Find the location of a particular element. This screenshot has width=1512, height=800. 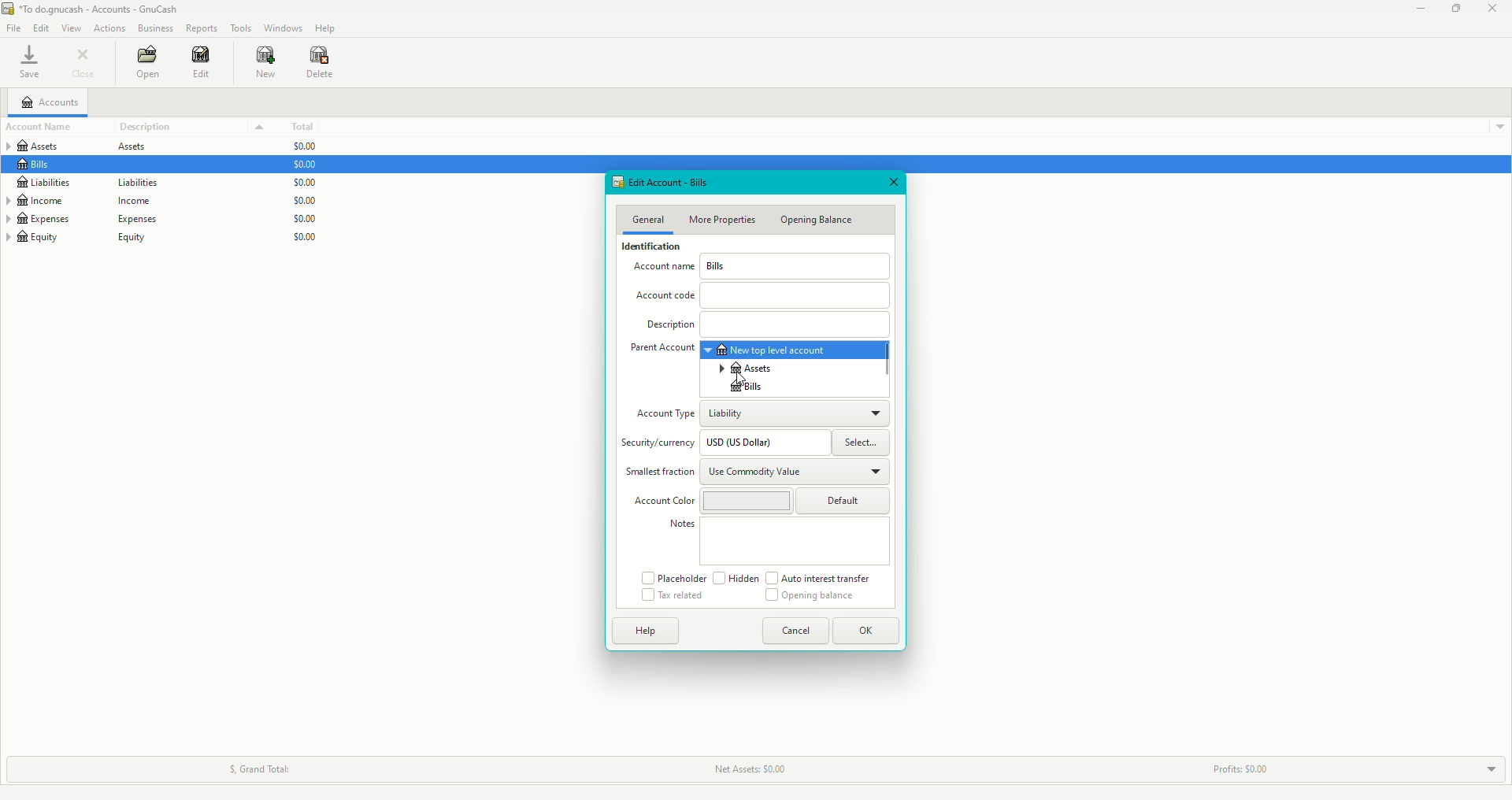

New top level account is located at coordinates (791, 350).